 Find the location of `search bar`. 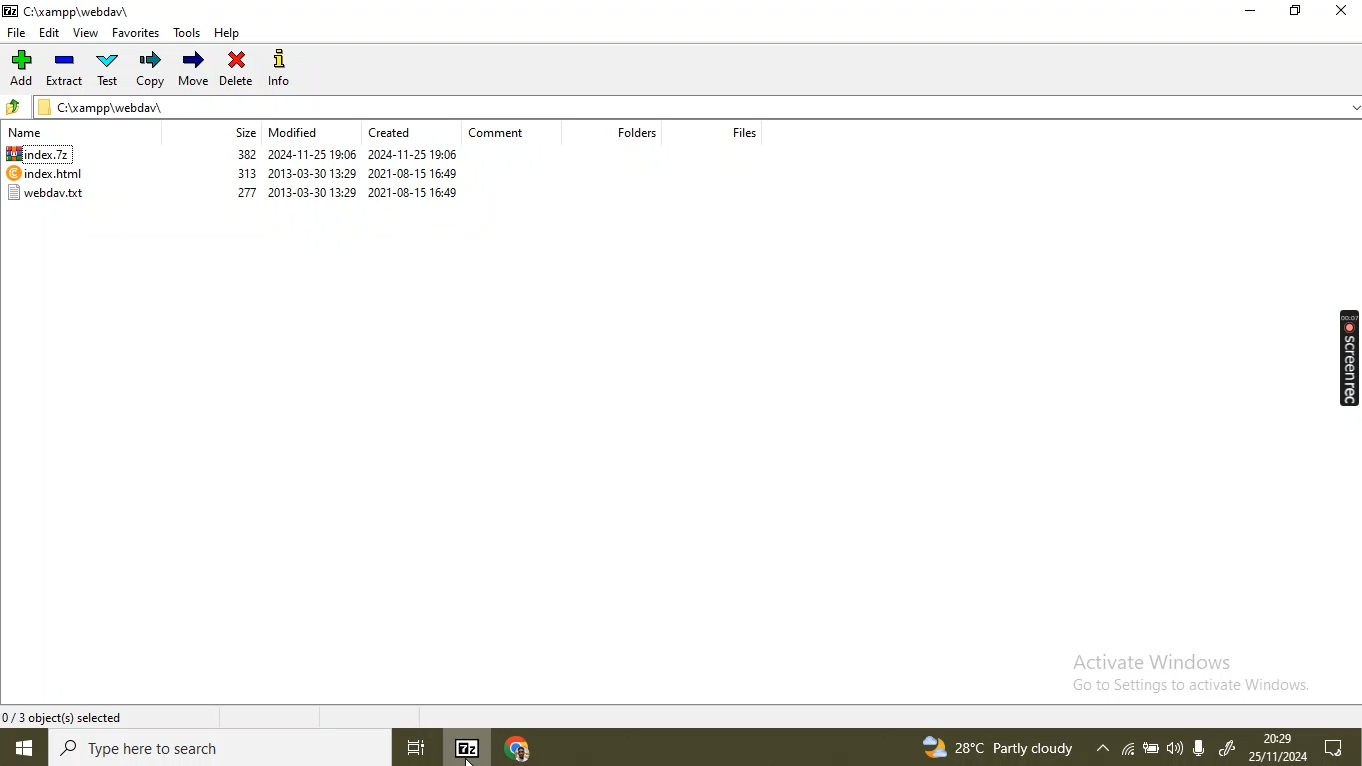

search bar is located at coordinates (222, 747).